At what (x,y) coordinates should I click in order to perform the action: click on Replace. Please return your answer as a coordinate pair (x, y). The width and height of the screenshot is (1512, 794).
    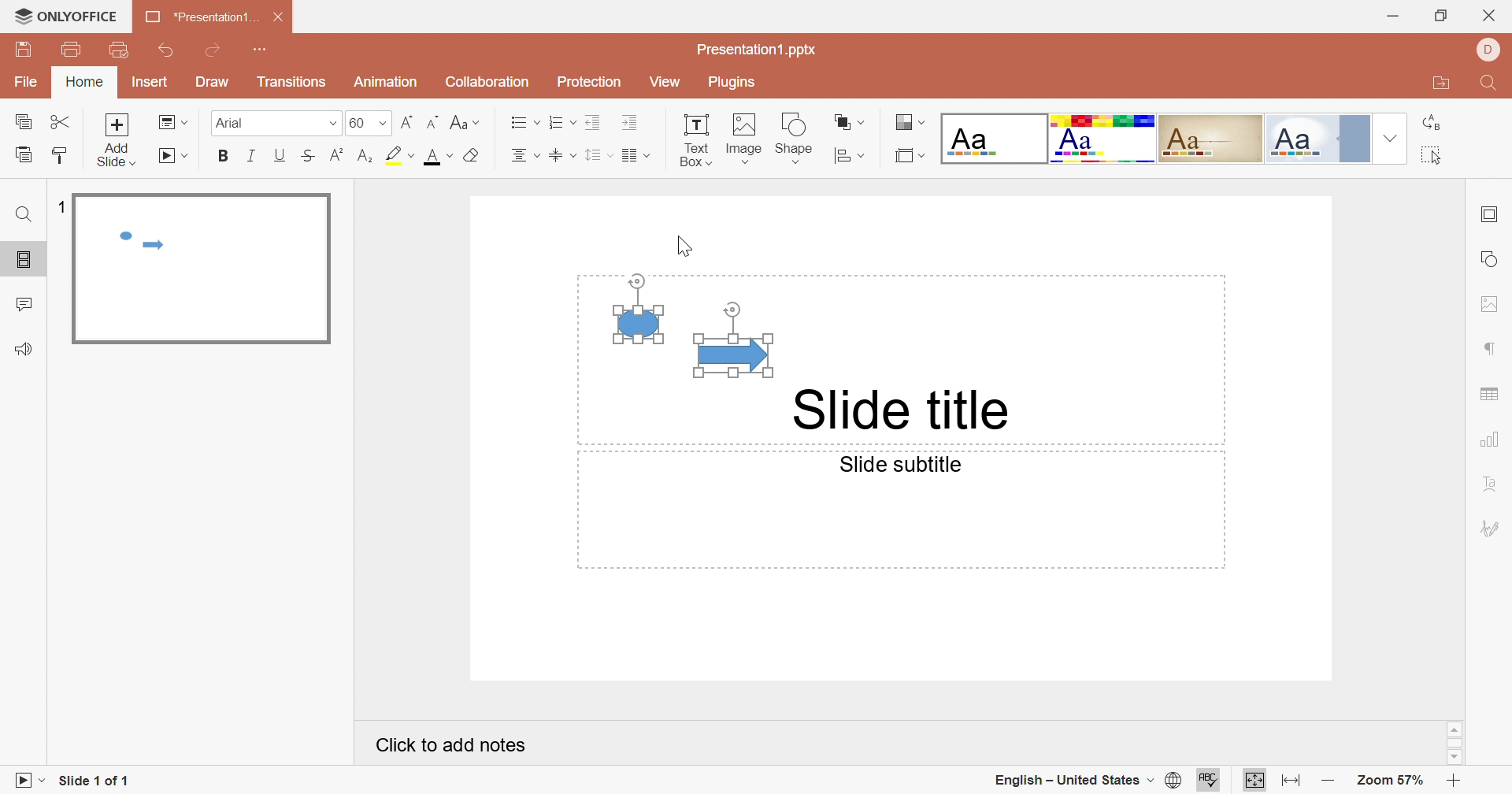
    Looking at the image, I should click on (1430, 123).